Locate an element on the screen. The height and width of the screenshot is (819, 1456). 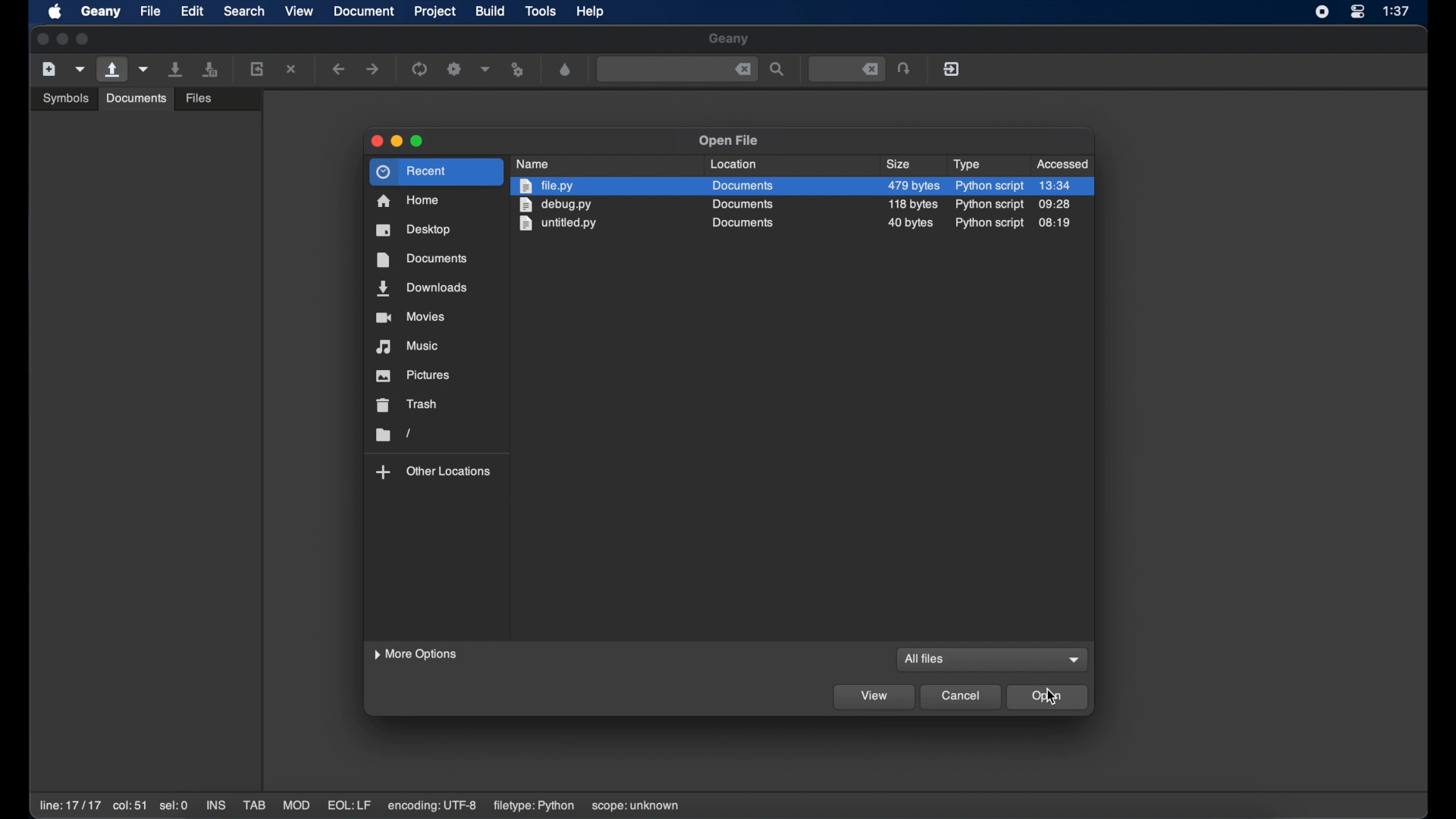
filetype: python is located at coordinates (532, 806).